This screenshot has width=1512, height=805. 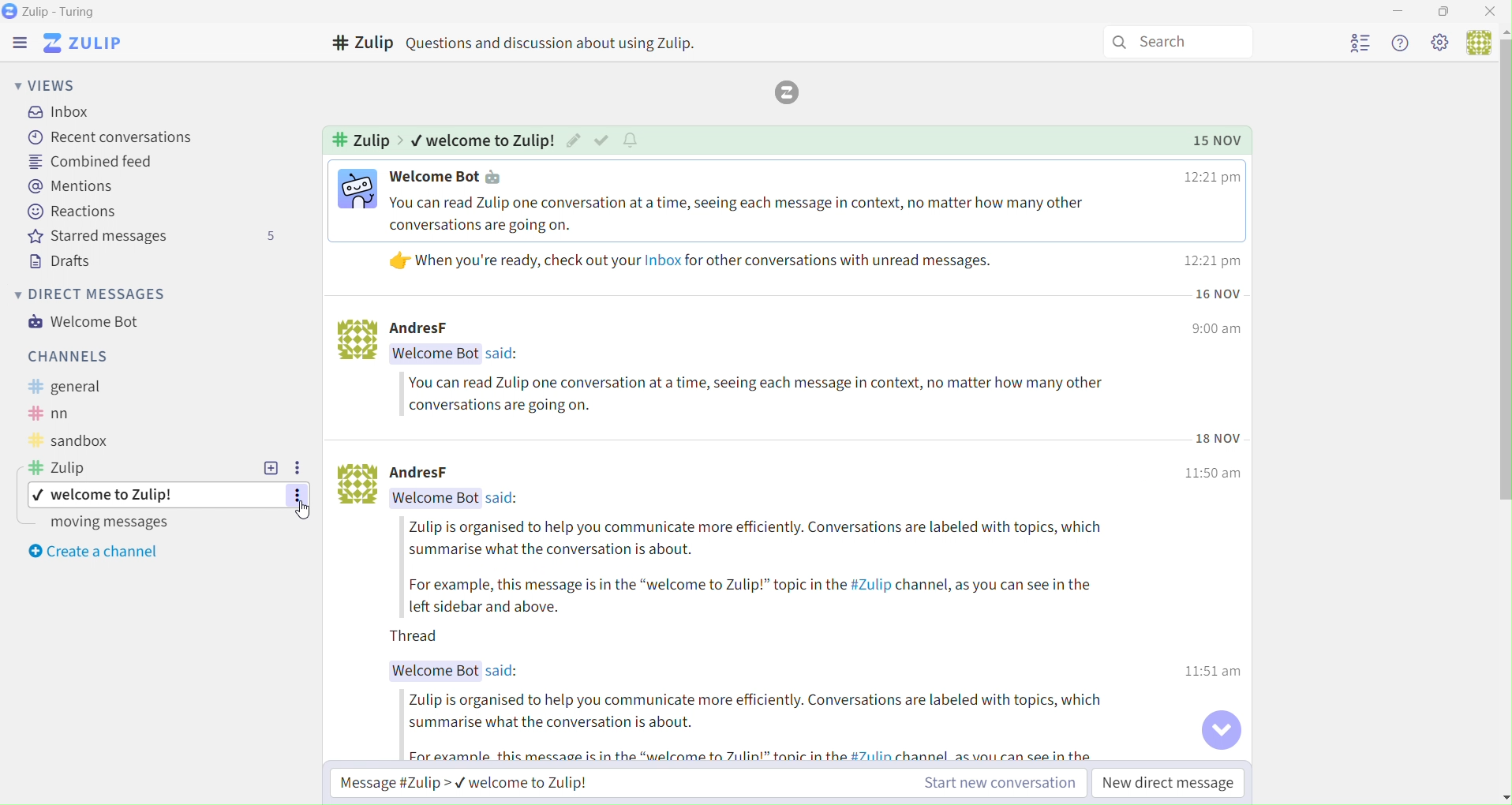 I want to click on Software logo and name, so click(x=83, y=43).